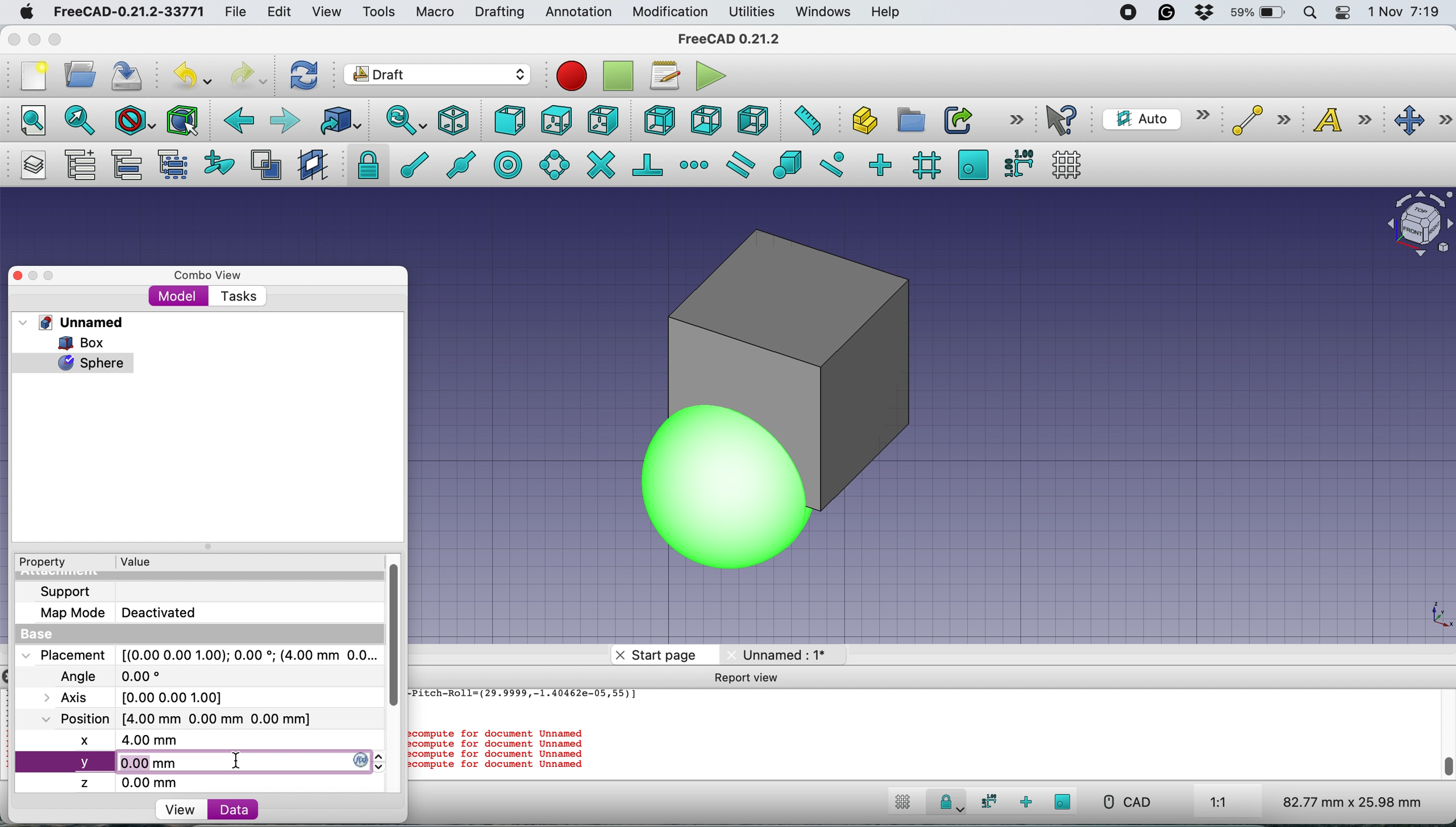 Image resolution: width=1456 pixels, height=827 pixels. Describe the element at coordinates (1018, 162) in the screenshot. I see `snap dimensions` at that location.